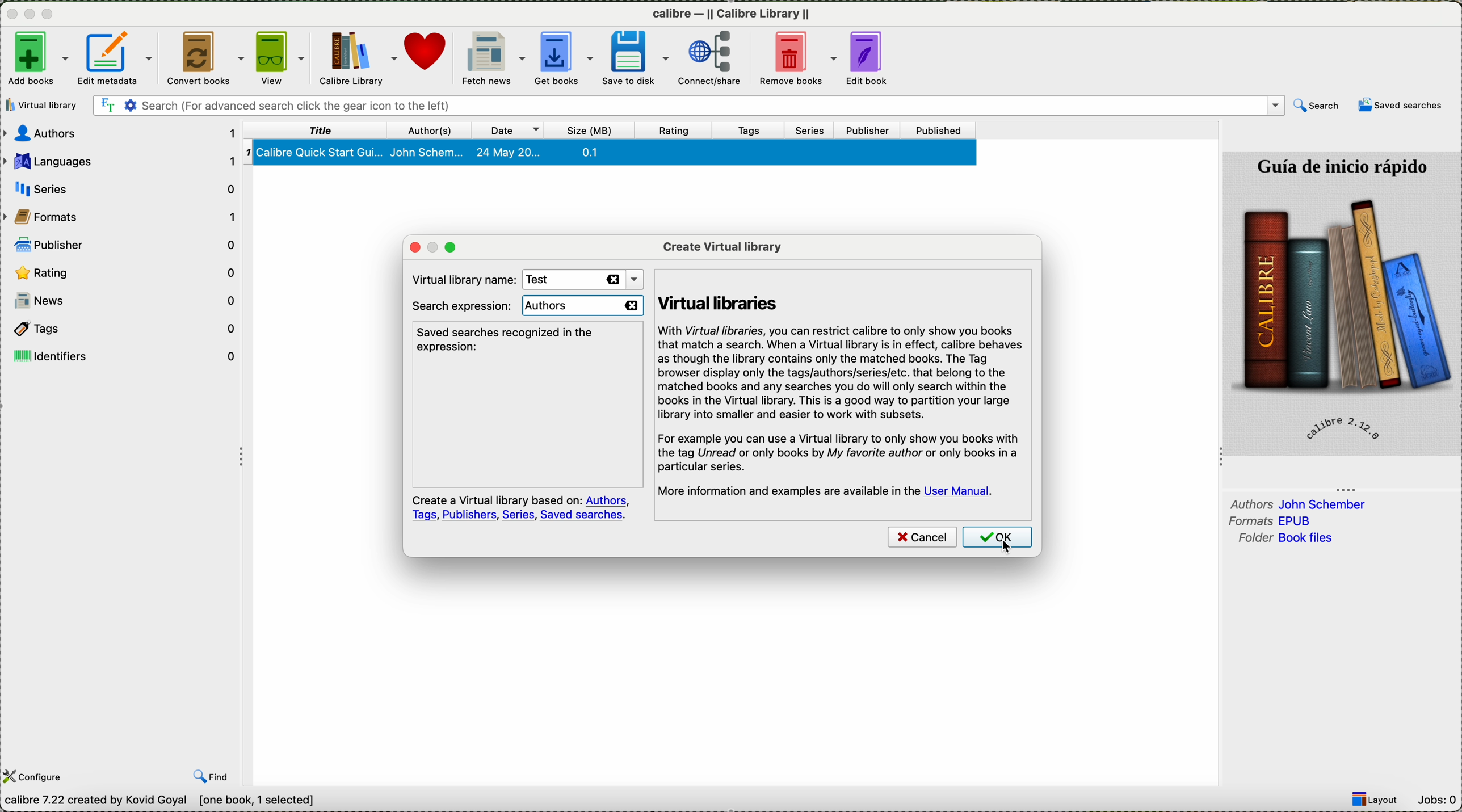 Image resolution: width=1462 pixels, height=812 pixels. Describe the element at coordinates (160, 801) in the screenshot. I see `Callibre 7.22 created by Kavid Goyal [one book,1 selected]` at that location.